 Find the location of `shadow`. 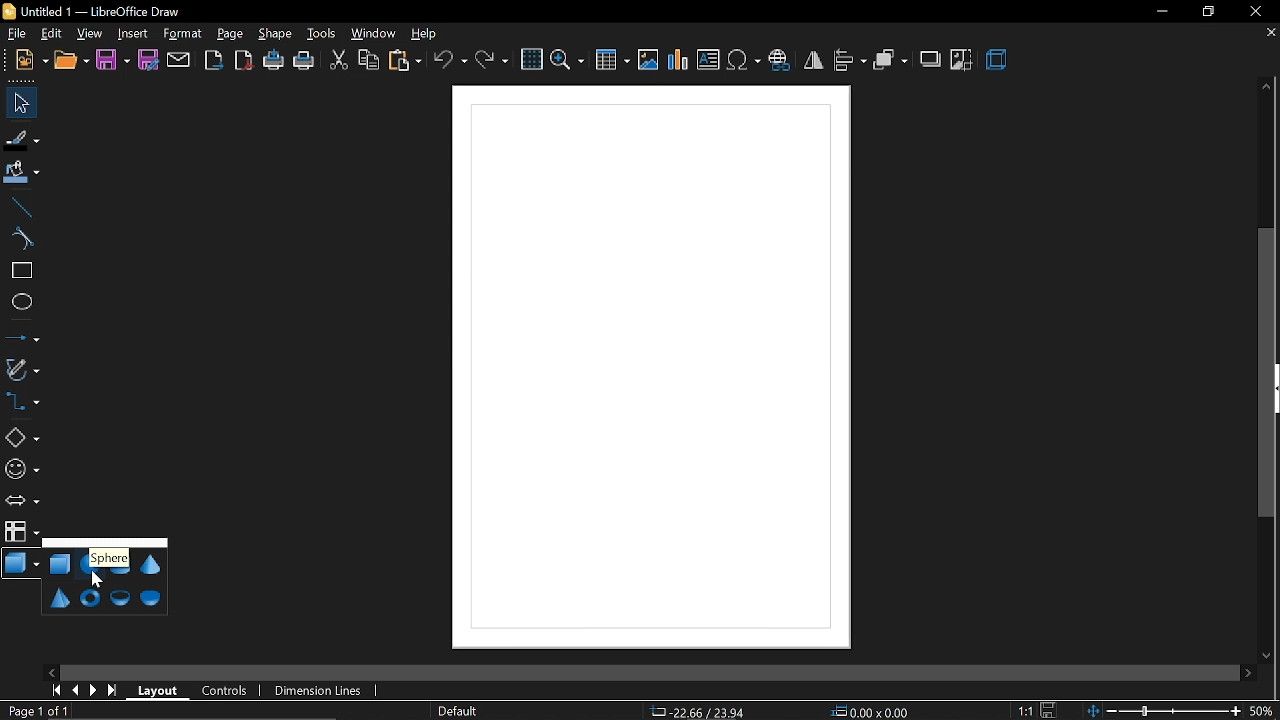

shadow is located at coordinates (930, 61).